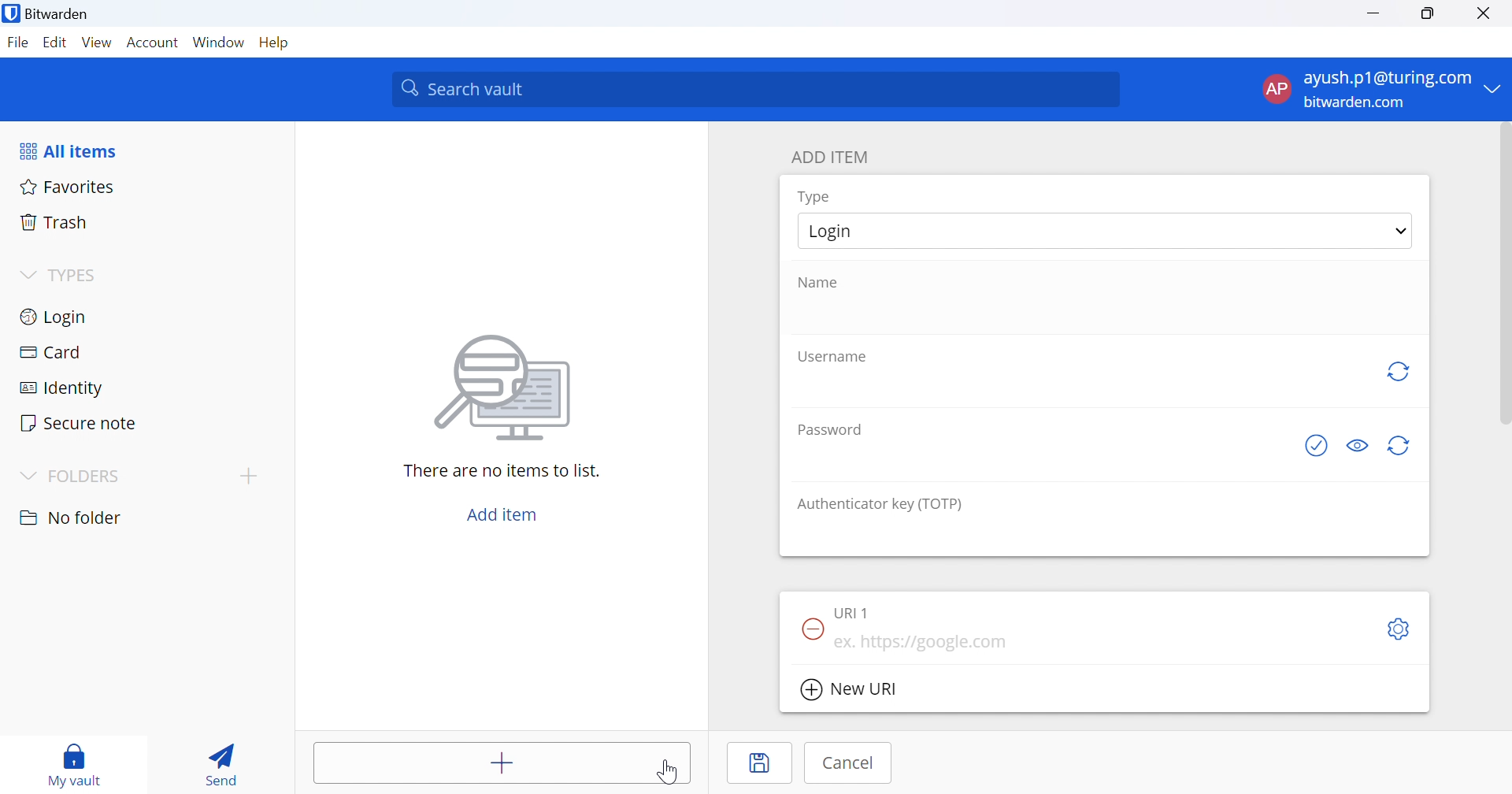  Describe the element at coordinates (834, 155) in the screenshot. I see `ADD ITEM` at that location.